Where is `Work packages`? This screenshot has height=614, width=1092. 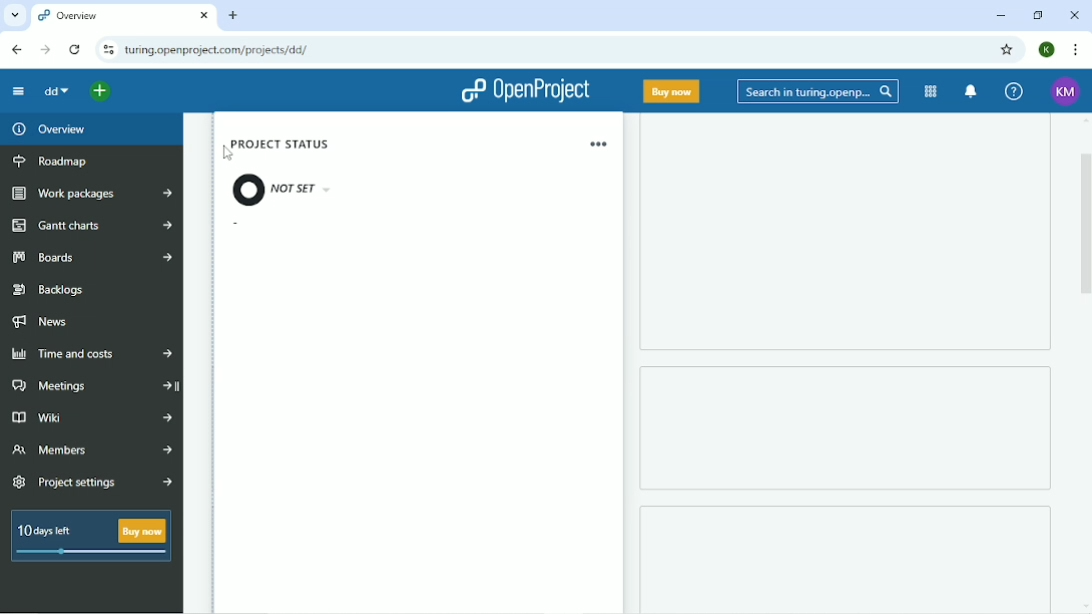
Work packages is located at coordinates (93, 193).